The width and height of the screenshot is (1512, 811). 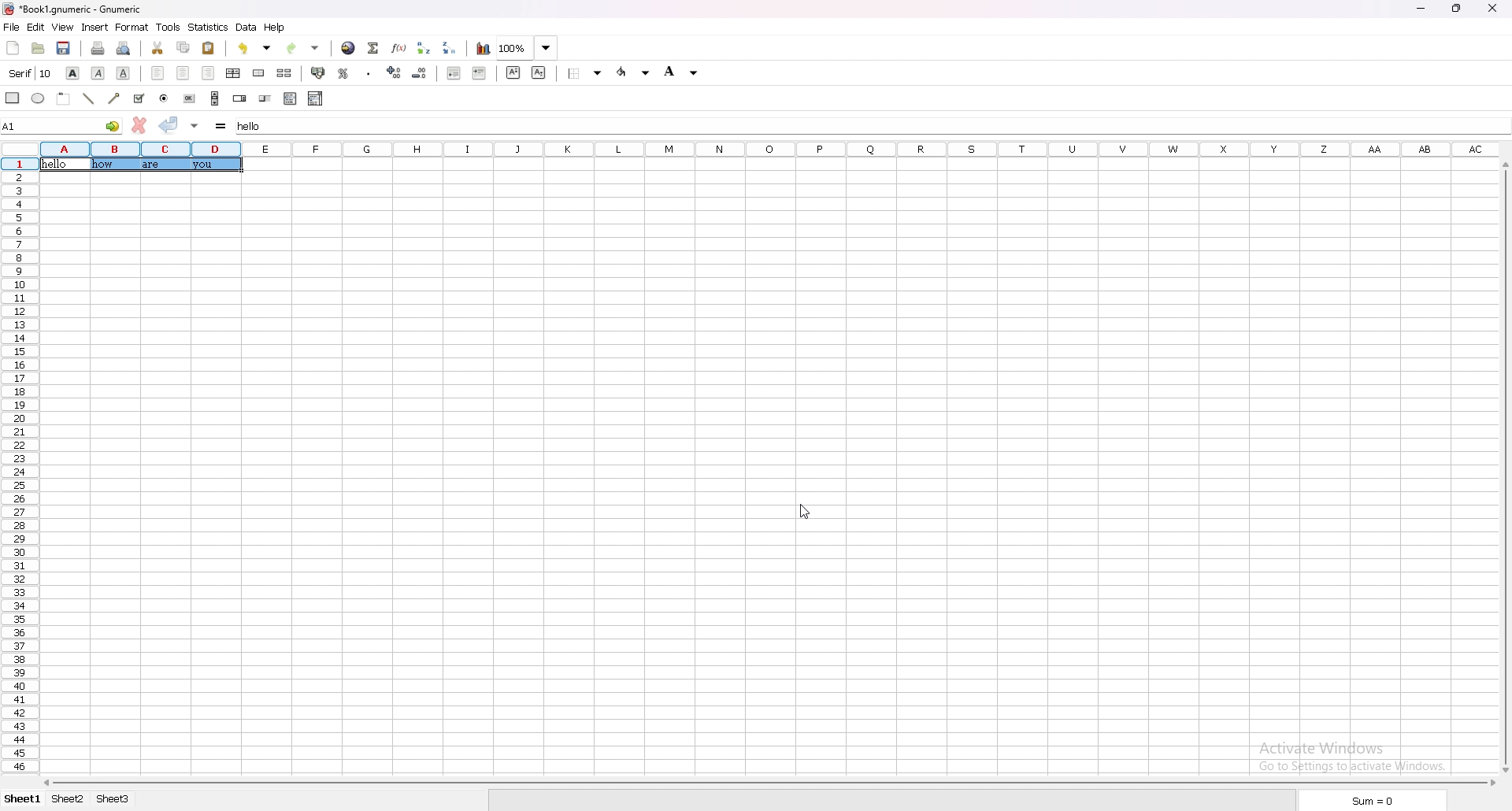 What do you see at coordinates (163, 98) in the screenshot?
I see `radio button` at bounding box center [163, 98].